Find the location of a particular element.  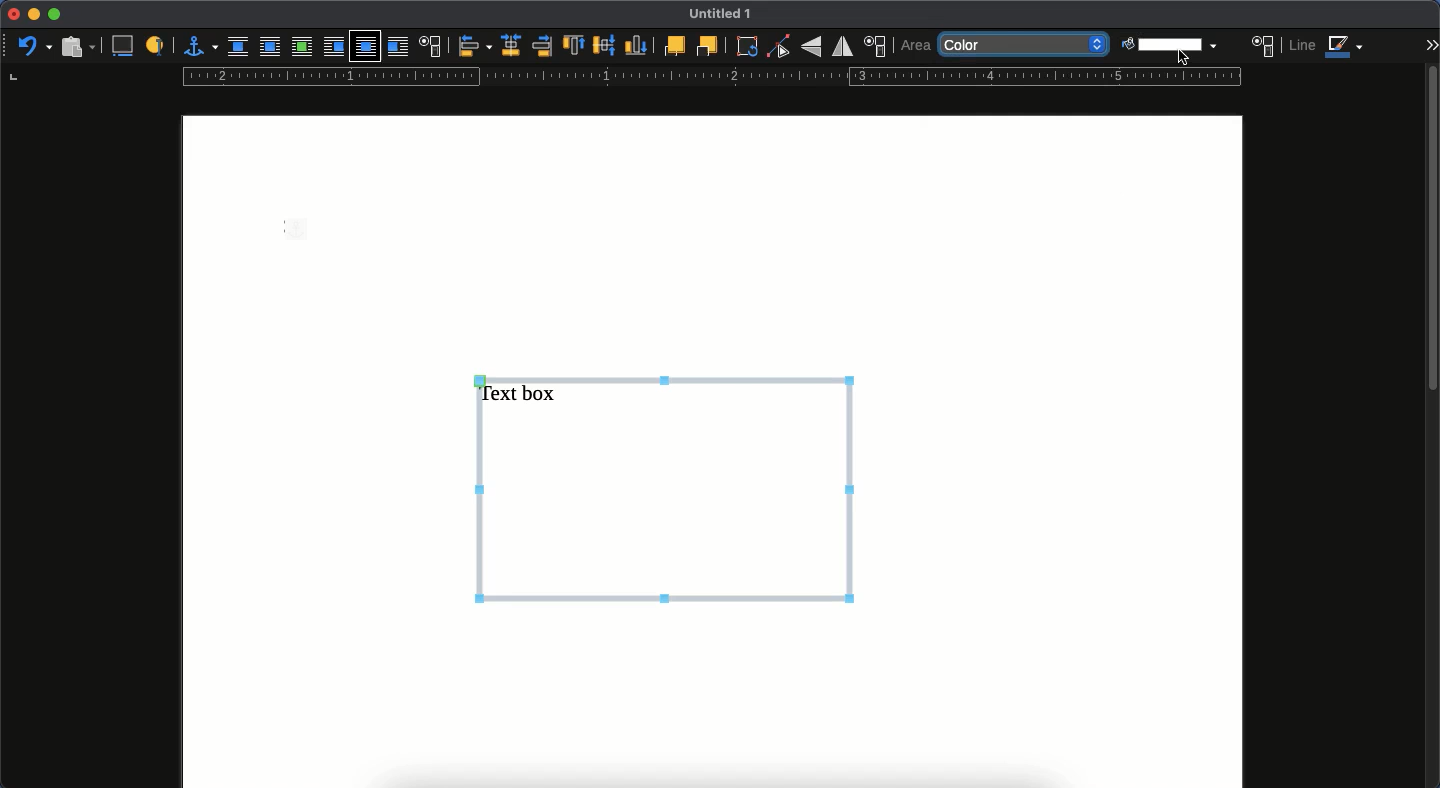

center is located at coordinates (604, 45).